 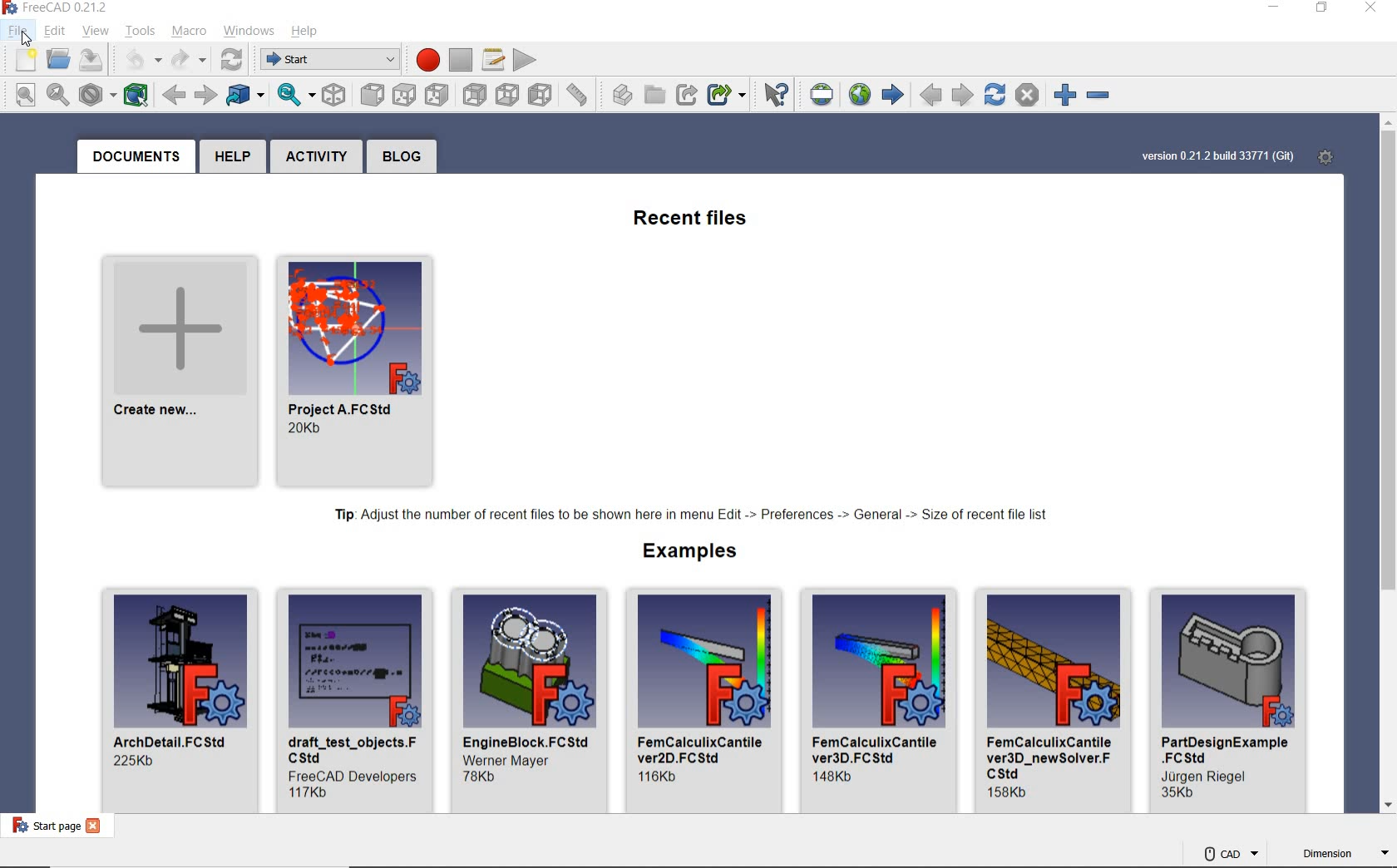 What do you see at coordinates (136, 762) in the screenshot?
I see `size` at bounding box center [136, 762].